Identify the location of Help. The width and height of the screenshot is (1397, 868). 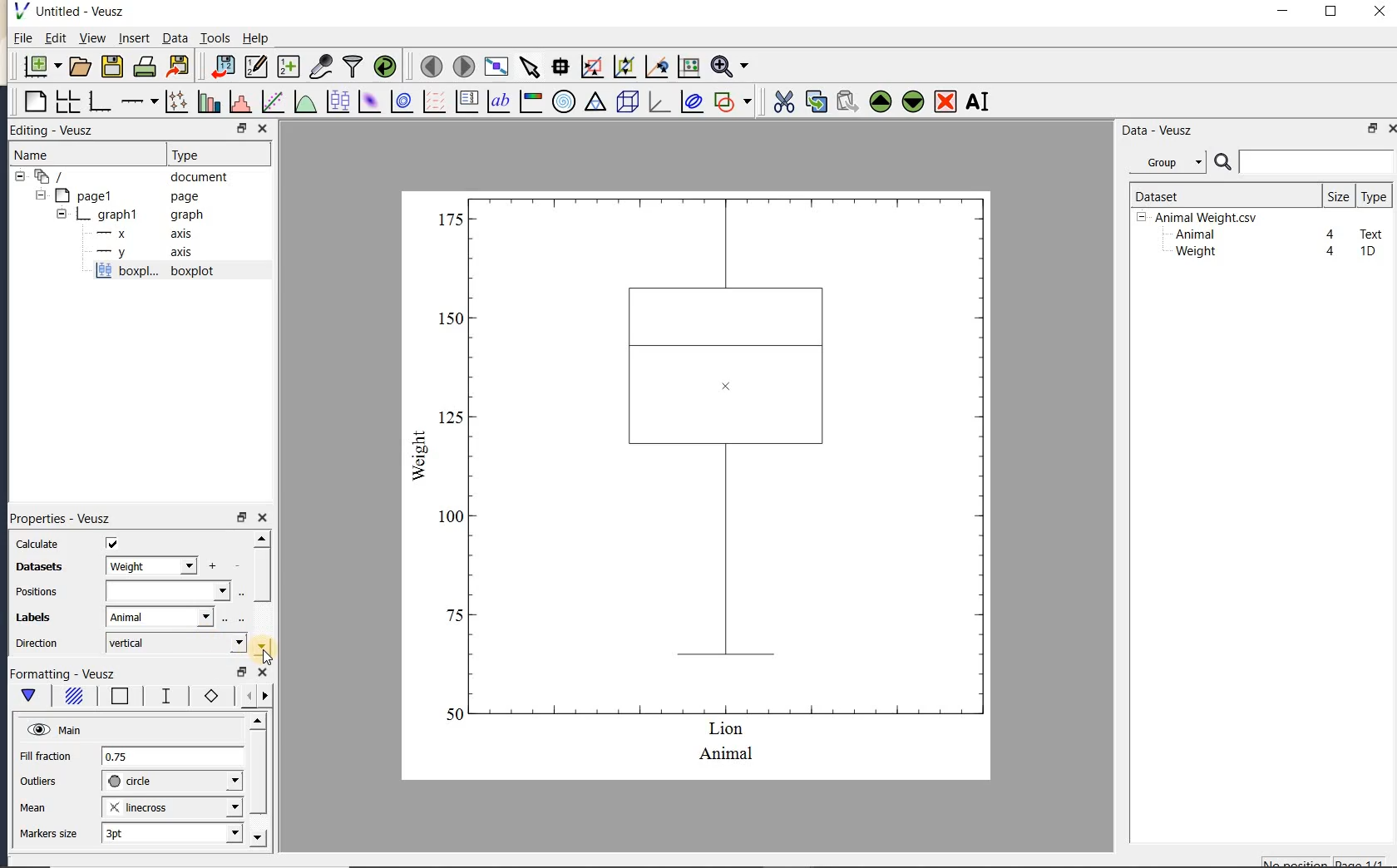
(255, 38).